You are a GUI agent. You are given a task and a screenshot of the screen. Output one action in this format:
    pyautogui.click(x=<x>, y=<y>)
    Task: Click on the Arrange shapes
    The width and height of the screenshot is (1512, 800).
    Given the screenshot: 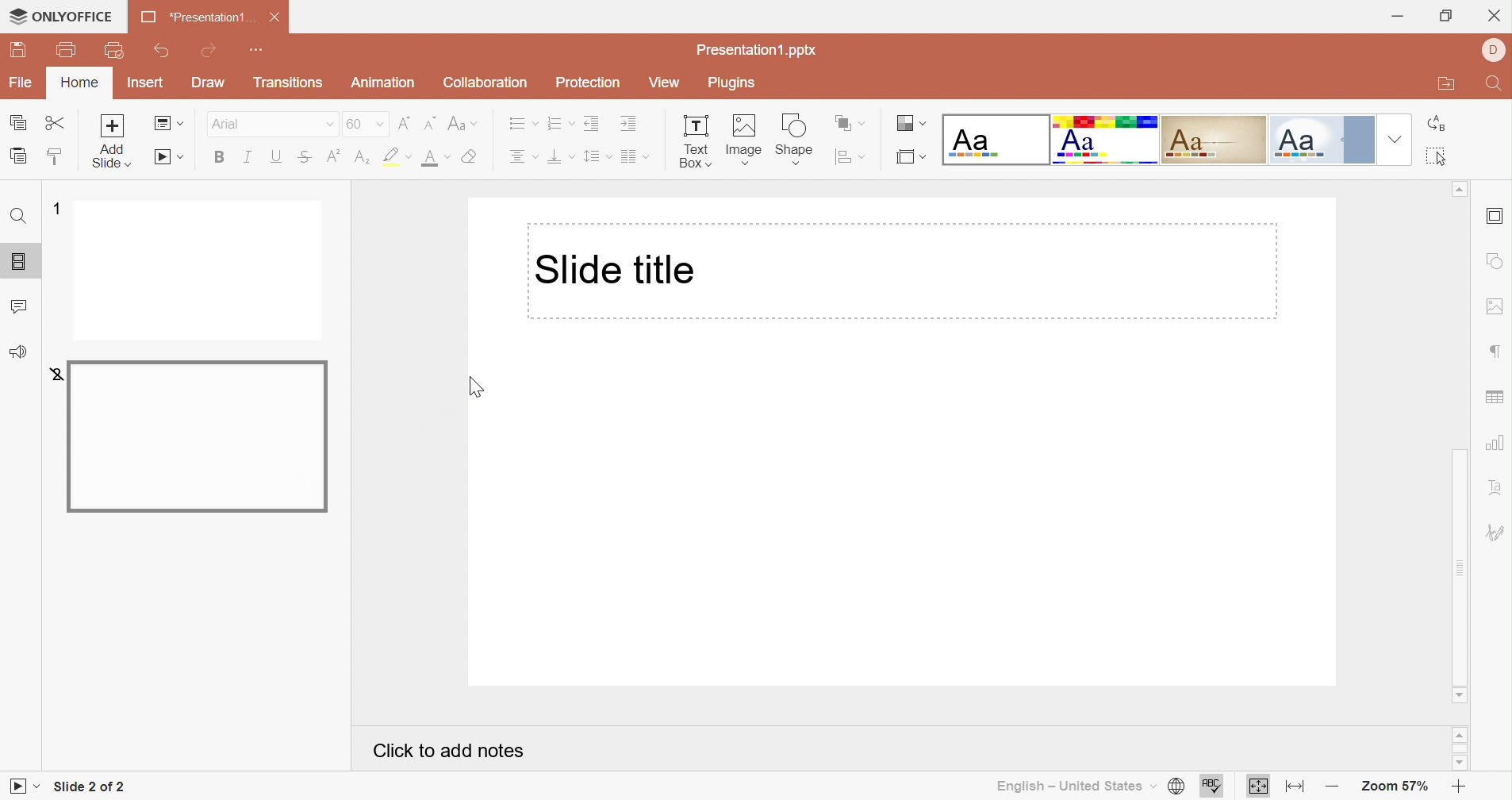 What is the action you would take?
    pyautogui.click(x=850, y=121)
    